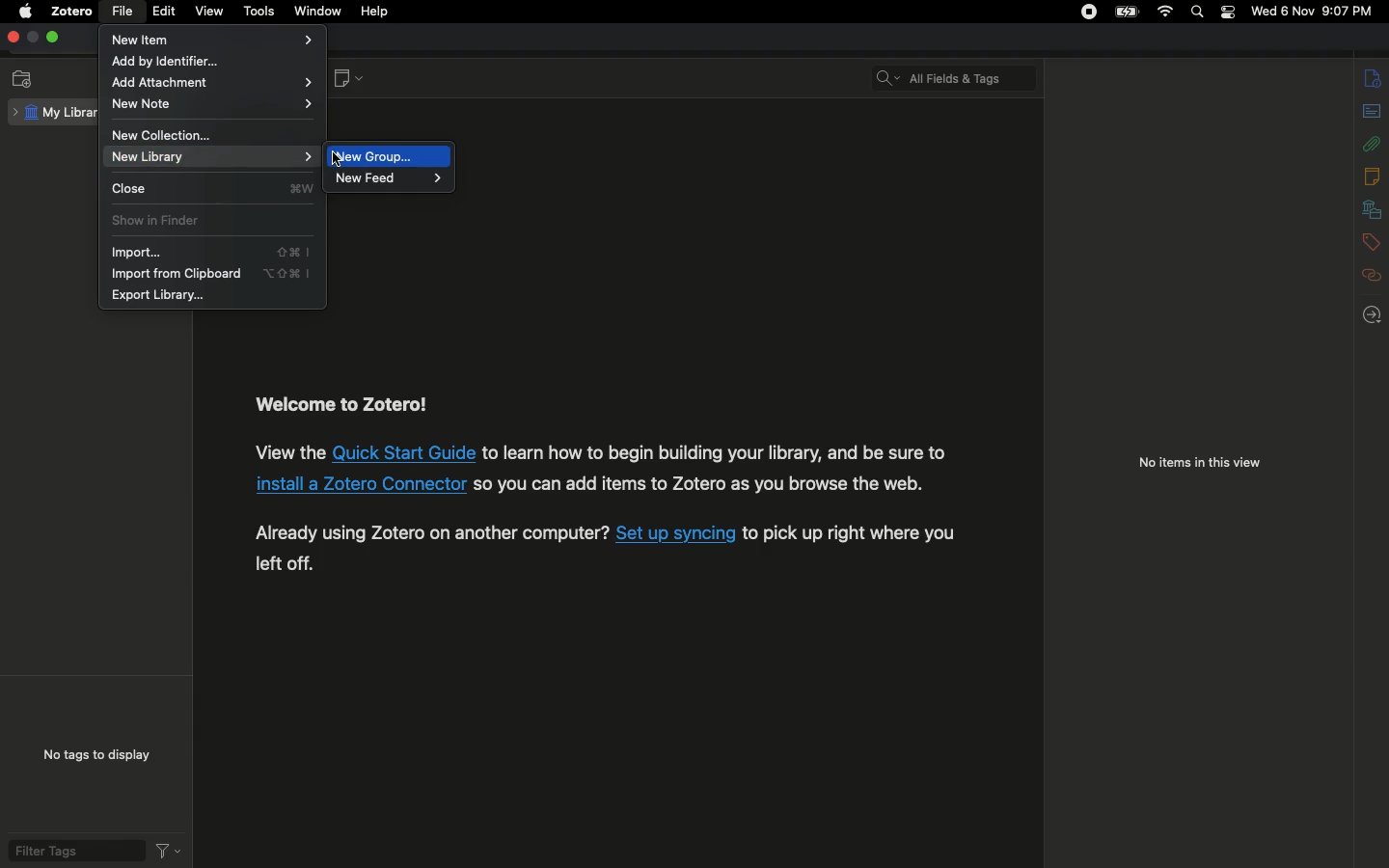 The image size is (1389, 868). Describe the element at coordinates (1371, 112) in the screenshot. I see `Abstract` at that location.